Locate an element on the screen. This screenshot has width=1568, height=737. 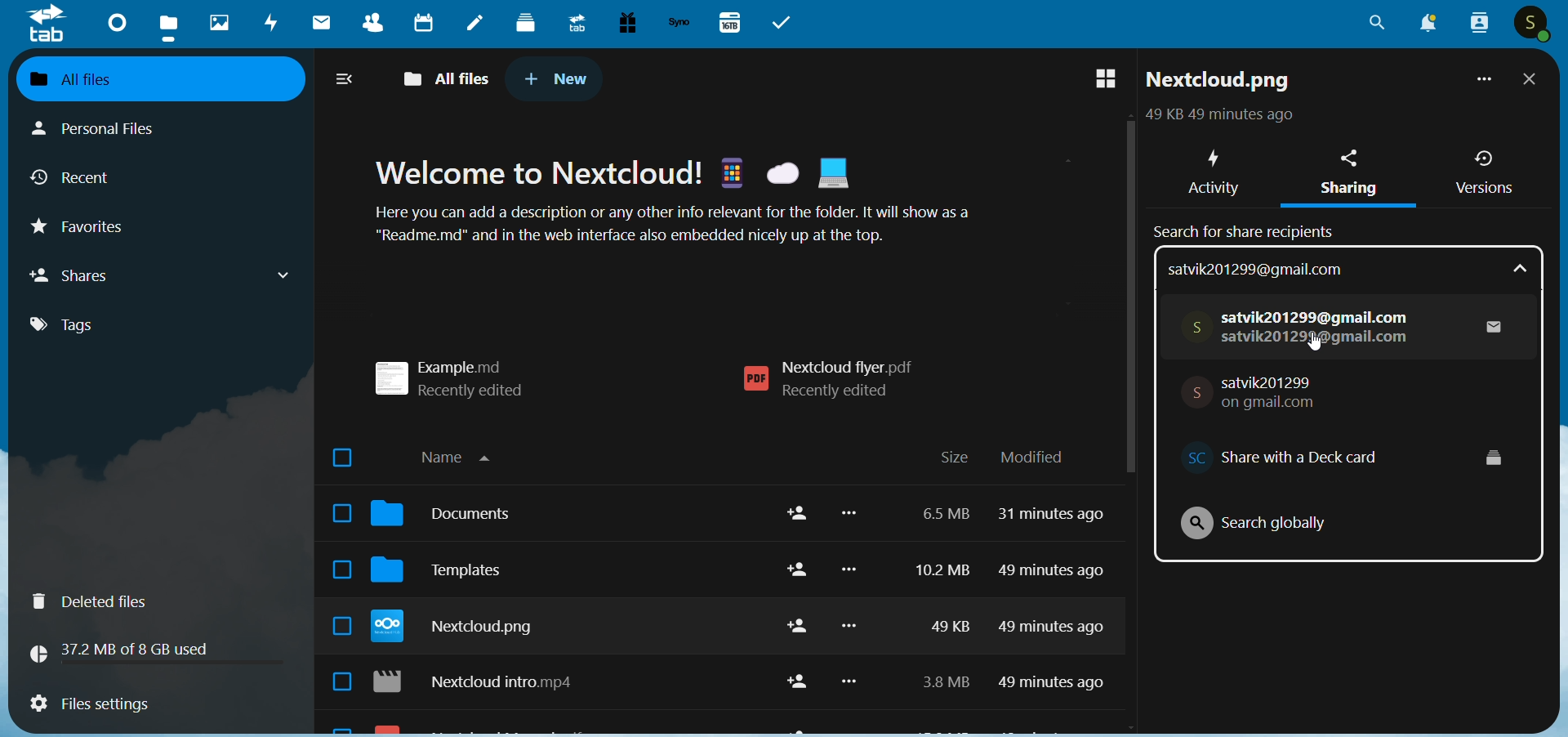
deleted files is located at coordinates (100, 601).